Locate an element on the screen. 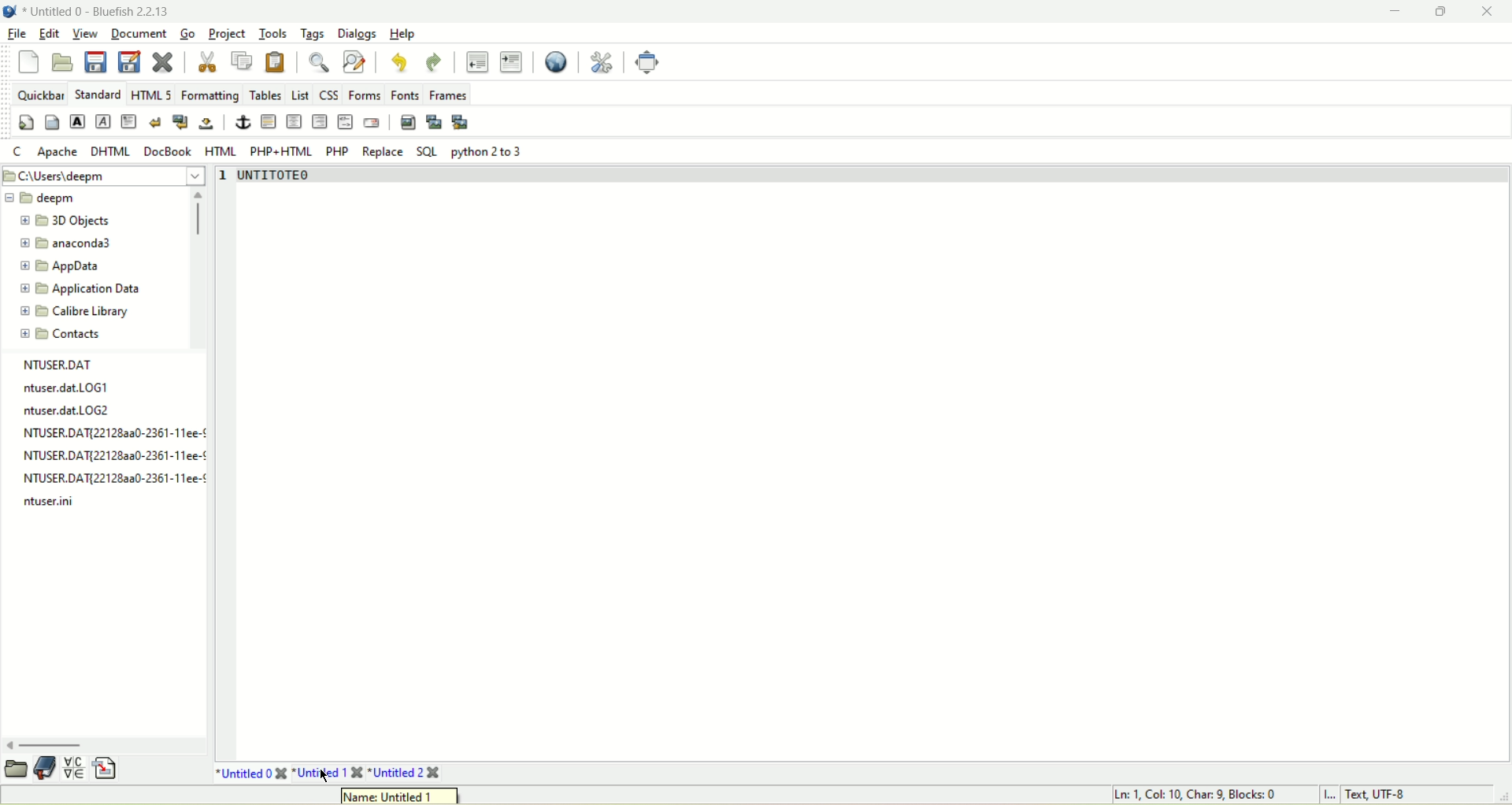 The image size is (1512, 805). edit preferences is located at coordinates (603, 64).